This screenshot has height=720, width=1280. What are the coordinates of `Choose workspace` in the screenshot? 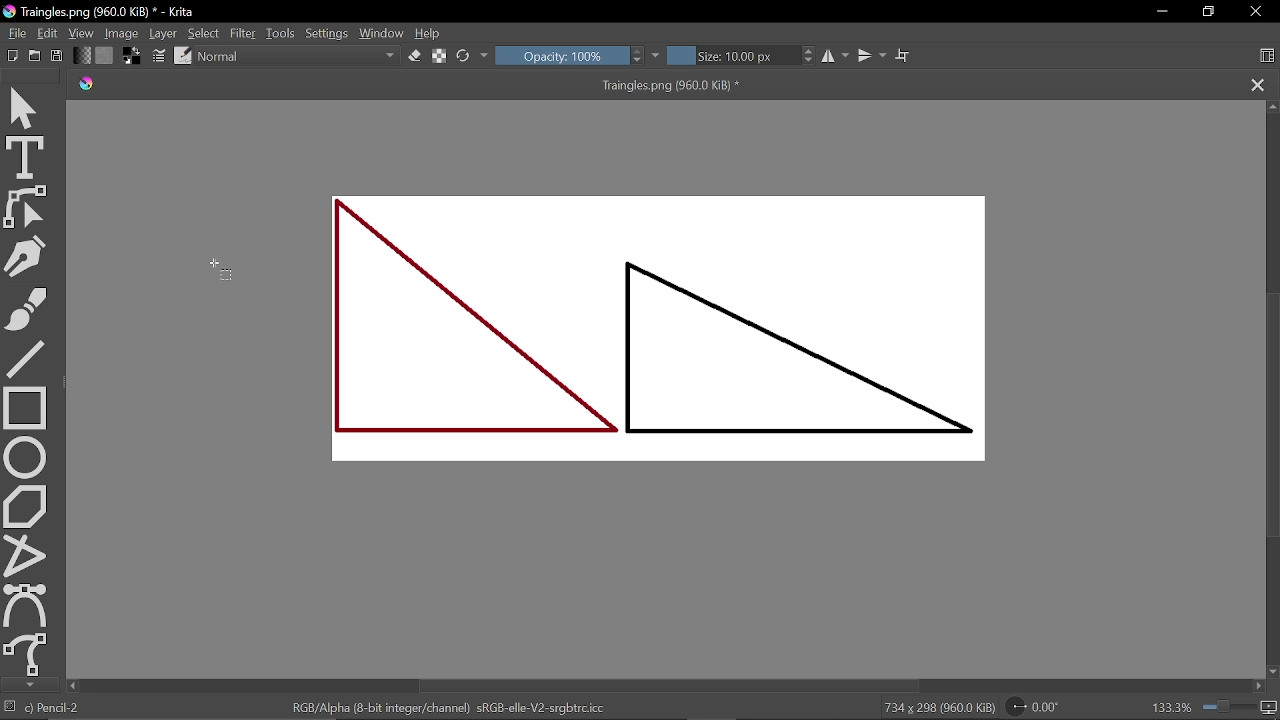 It's located at (1268, 55).